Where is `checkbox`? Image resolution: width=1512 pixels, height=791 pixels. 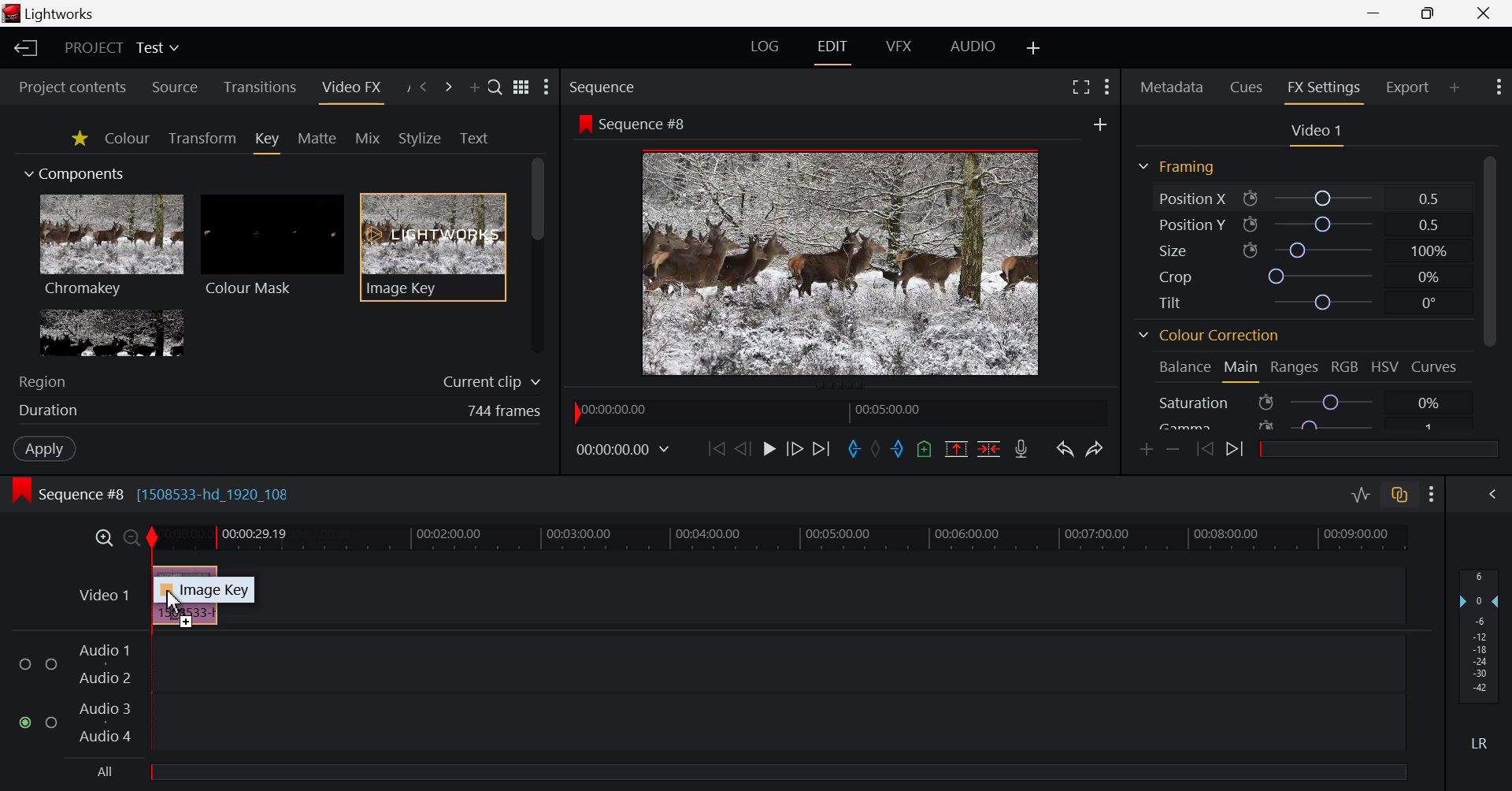 checkbox is located at coordinates (50, 662).